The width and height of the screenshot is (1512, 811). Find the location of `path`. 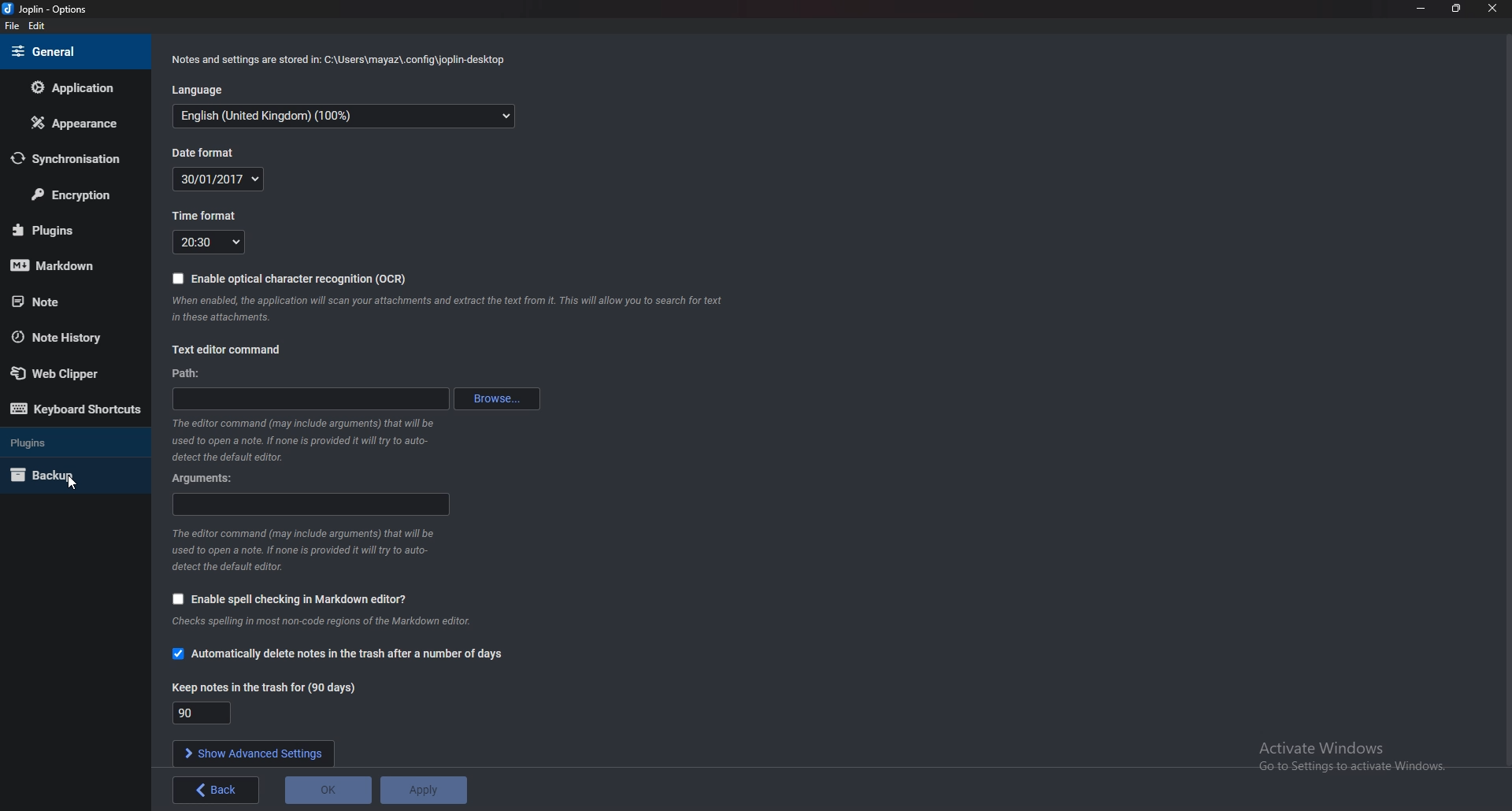

path is located at coordinates (188, 372).